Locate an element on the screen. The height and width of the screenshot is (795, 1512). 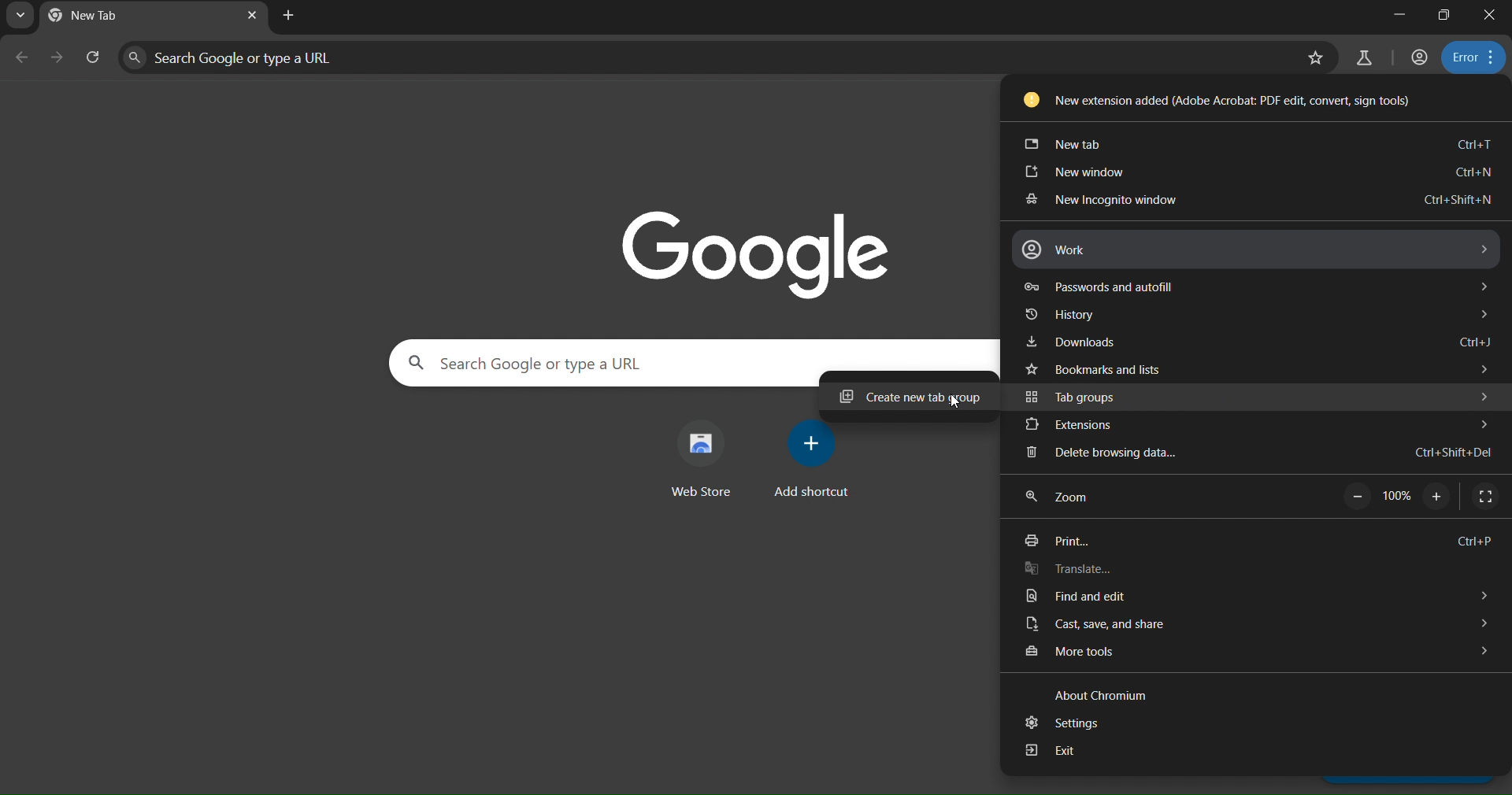
current page is located at coordinates (98, 15).